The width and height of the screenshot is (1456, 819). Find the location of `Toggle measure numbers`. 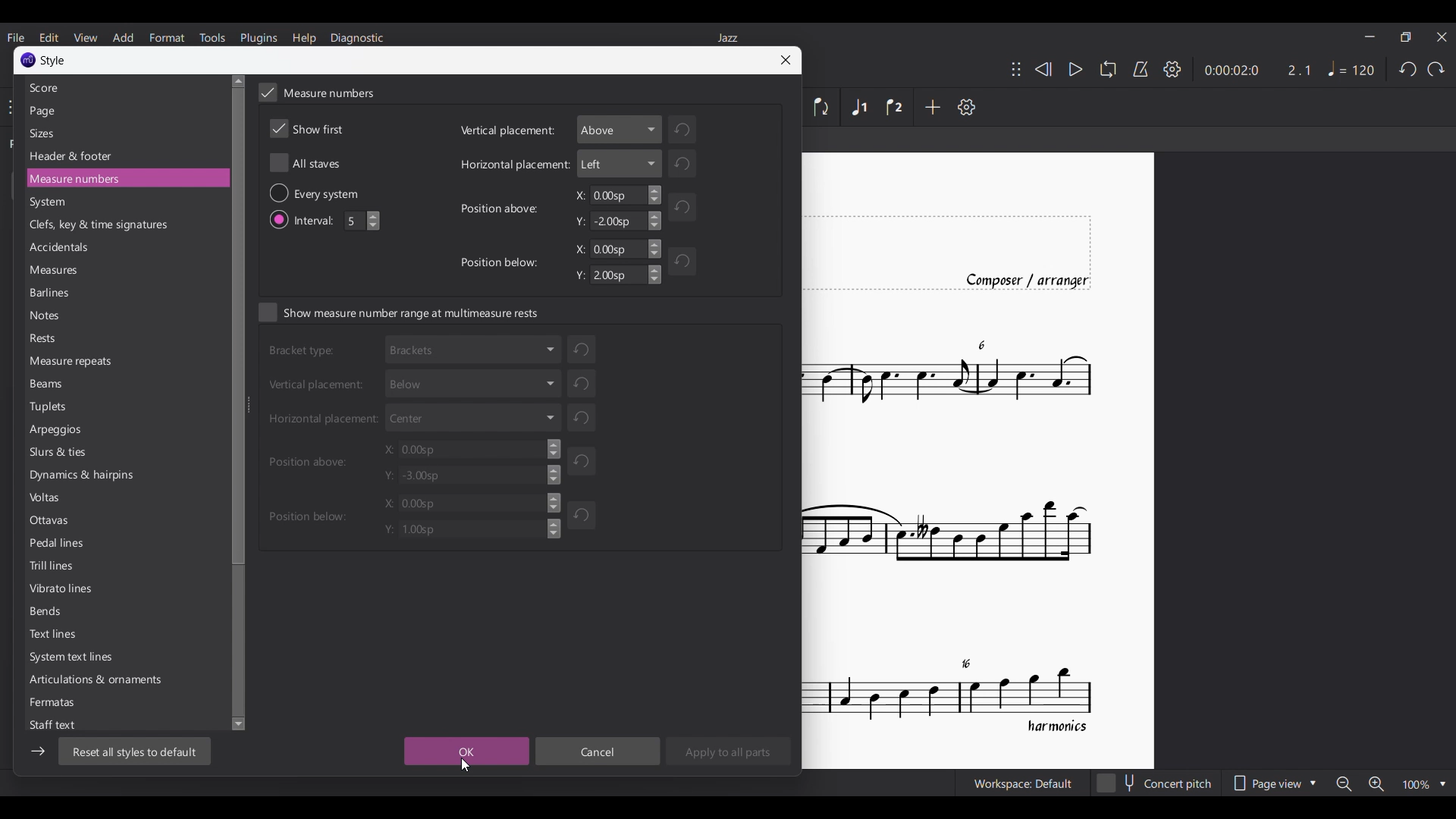

Toggle measure numbers is located at coordinates (316, 92).